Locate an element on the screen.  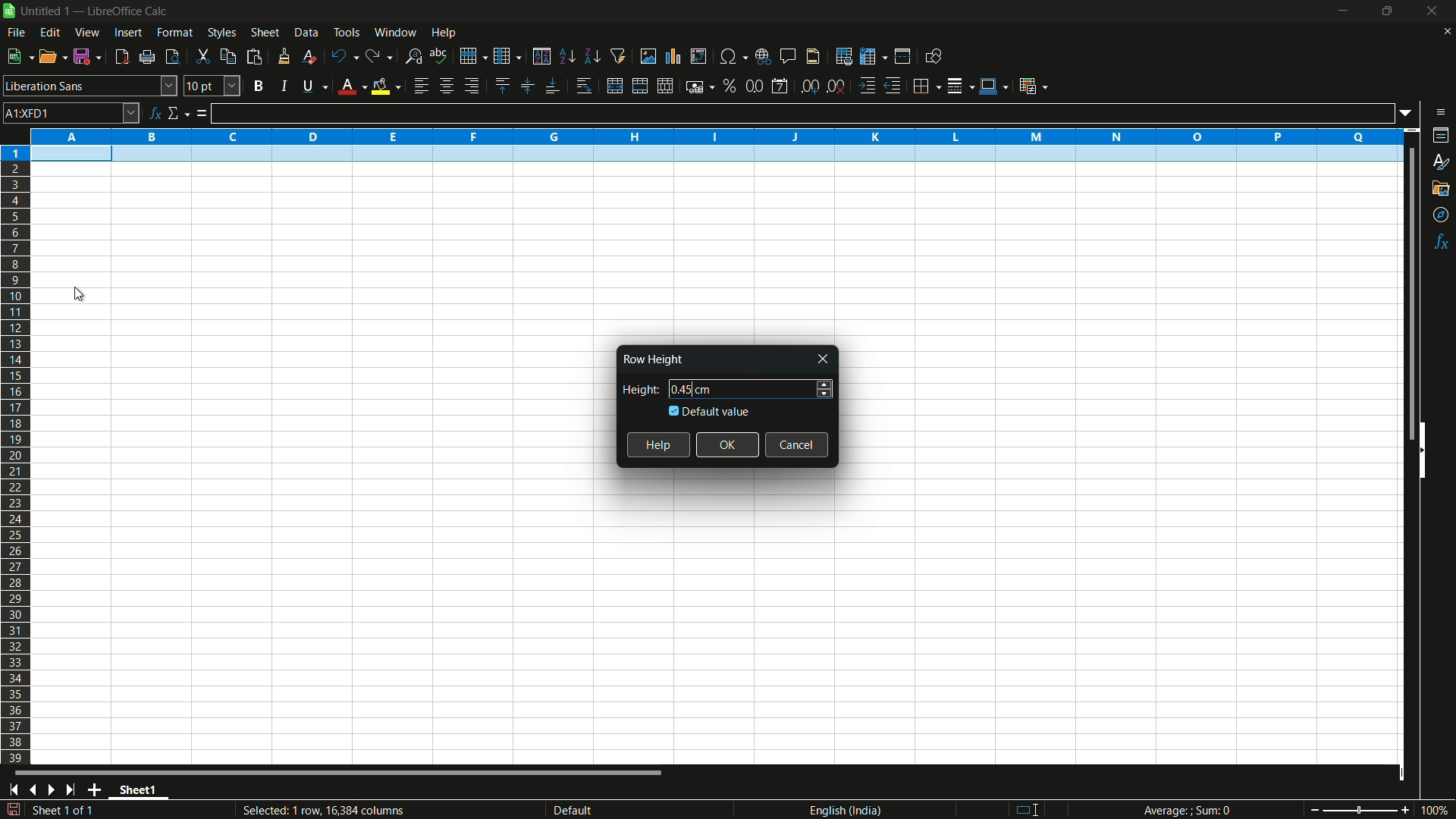
background fill is located at coordinates (385, 86).